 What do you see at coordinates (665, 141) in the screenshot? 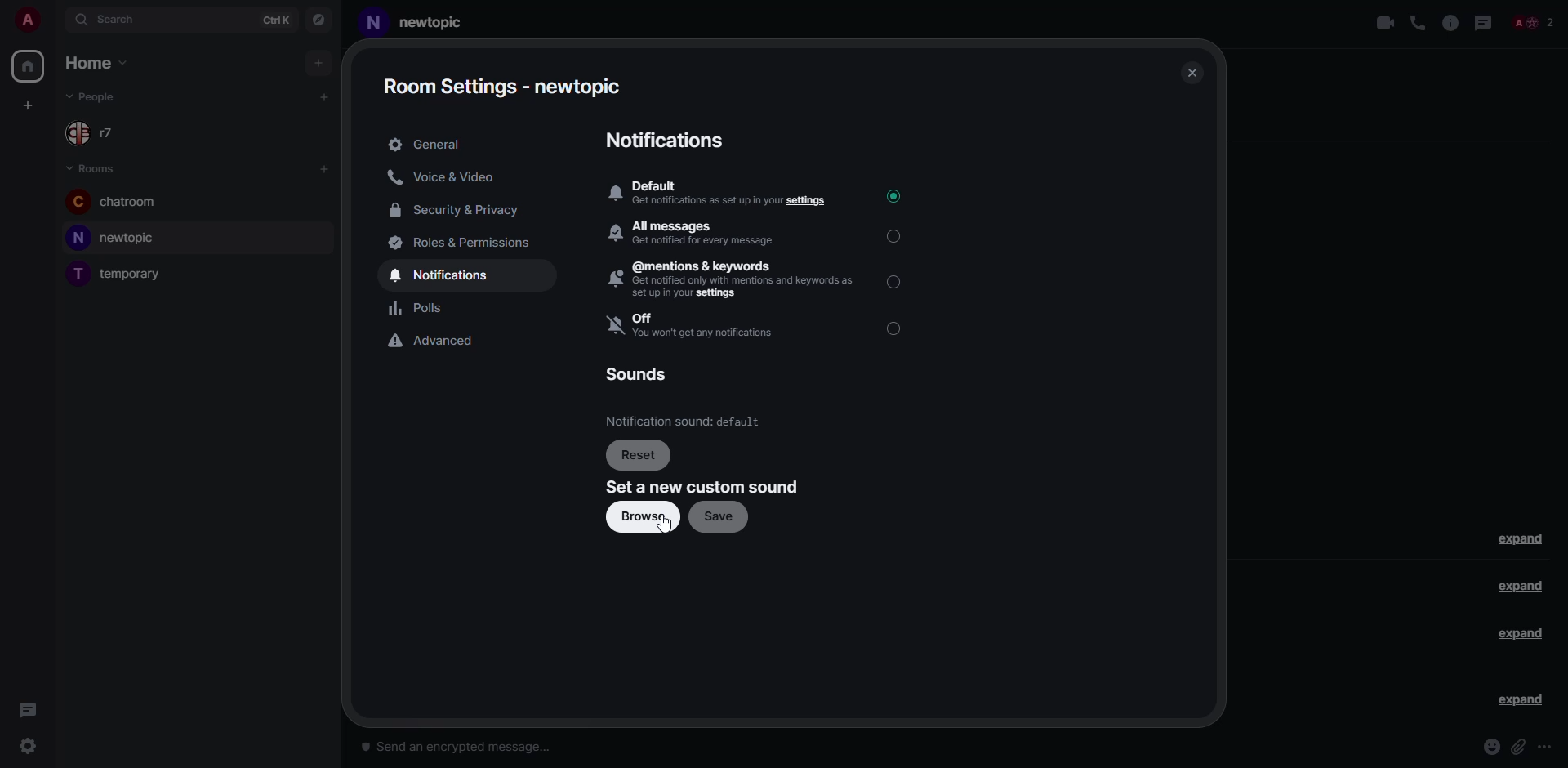
I see `notifications` at bounding box center [665, 141].